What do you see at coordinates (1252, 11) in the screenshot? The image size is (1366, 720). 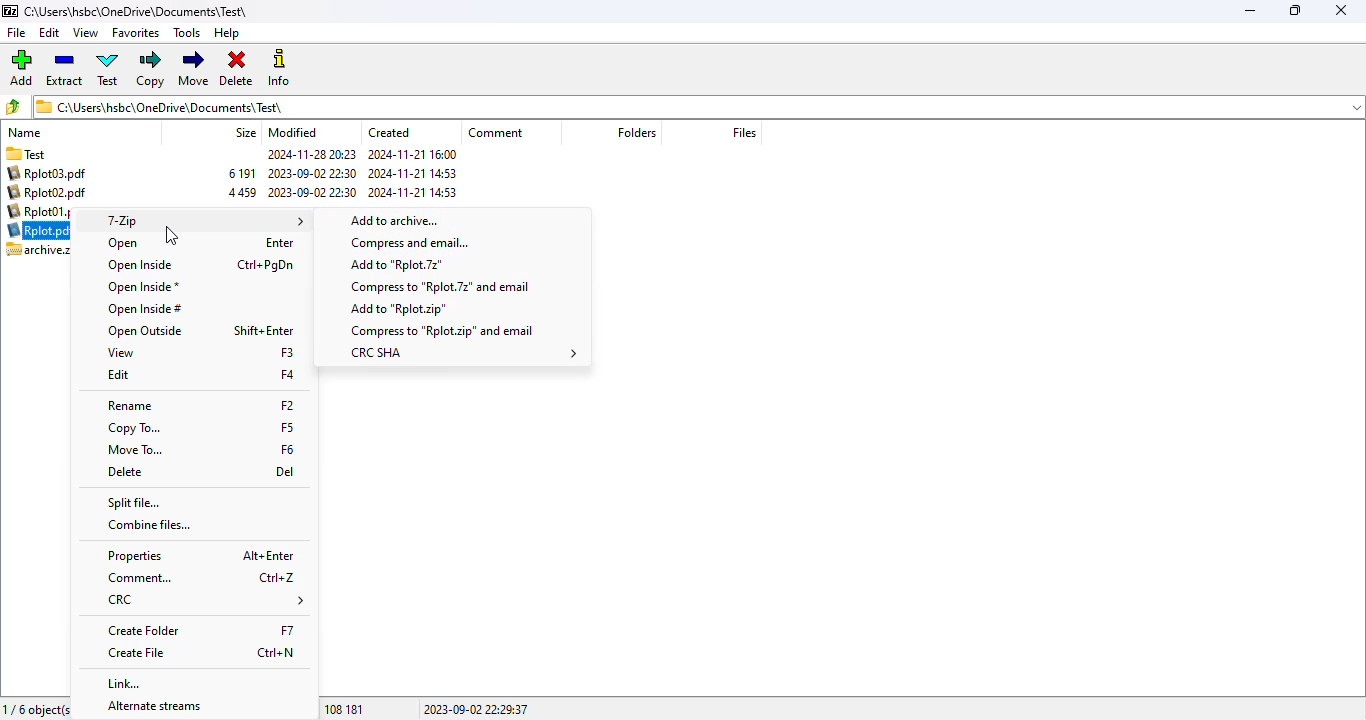 I see `minimize` at bounding box center [1252, 11].